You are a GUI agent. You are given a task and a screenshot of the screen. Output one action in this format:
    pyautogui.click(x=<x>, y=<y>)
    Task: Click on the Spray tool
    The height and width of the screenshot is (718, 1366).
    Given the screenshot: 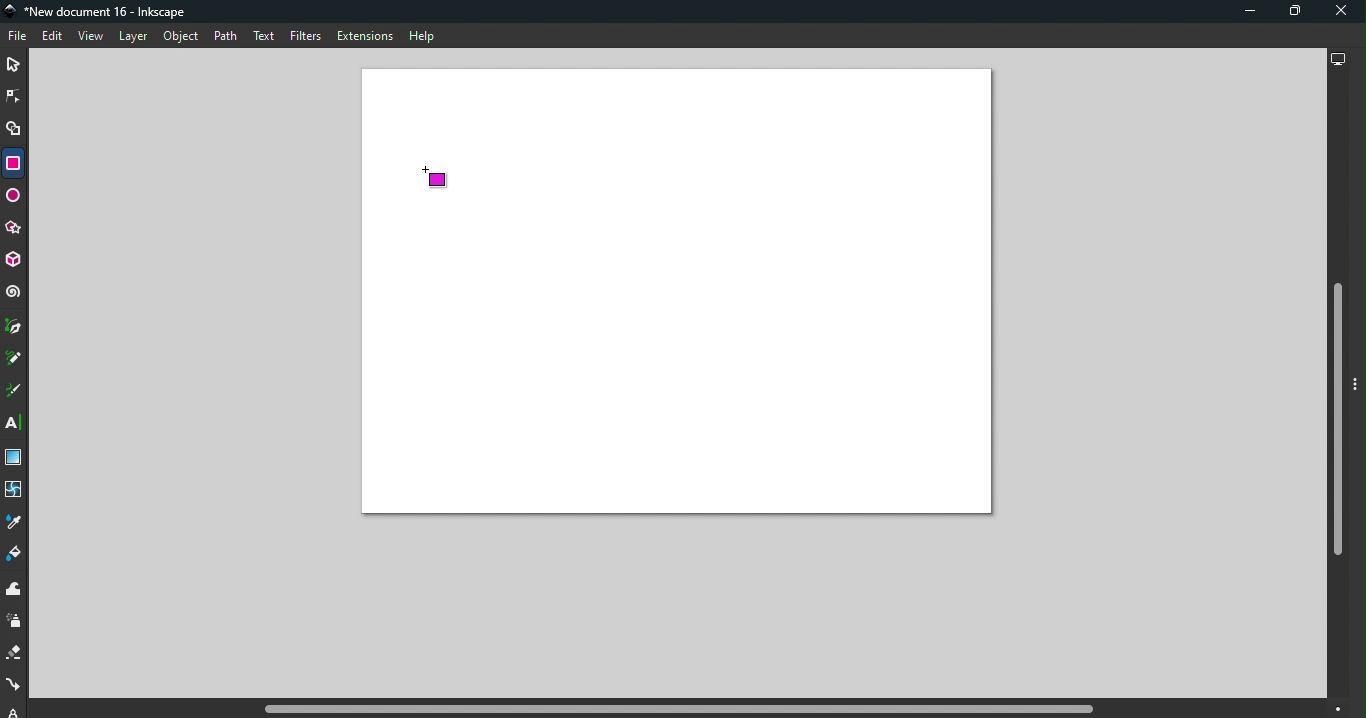 What is the action you would take?
    pyautogui.click(x=17, y=622)
    